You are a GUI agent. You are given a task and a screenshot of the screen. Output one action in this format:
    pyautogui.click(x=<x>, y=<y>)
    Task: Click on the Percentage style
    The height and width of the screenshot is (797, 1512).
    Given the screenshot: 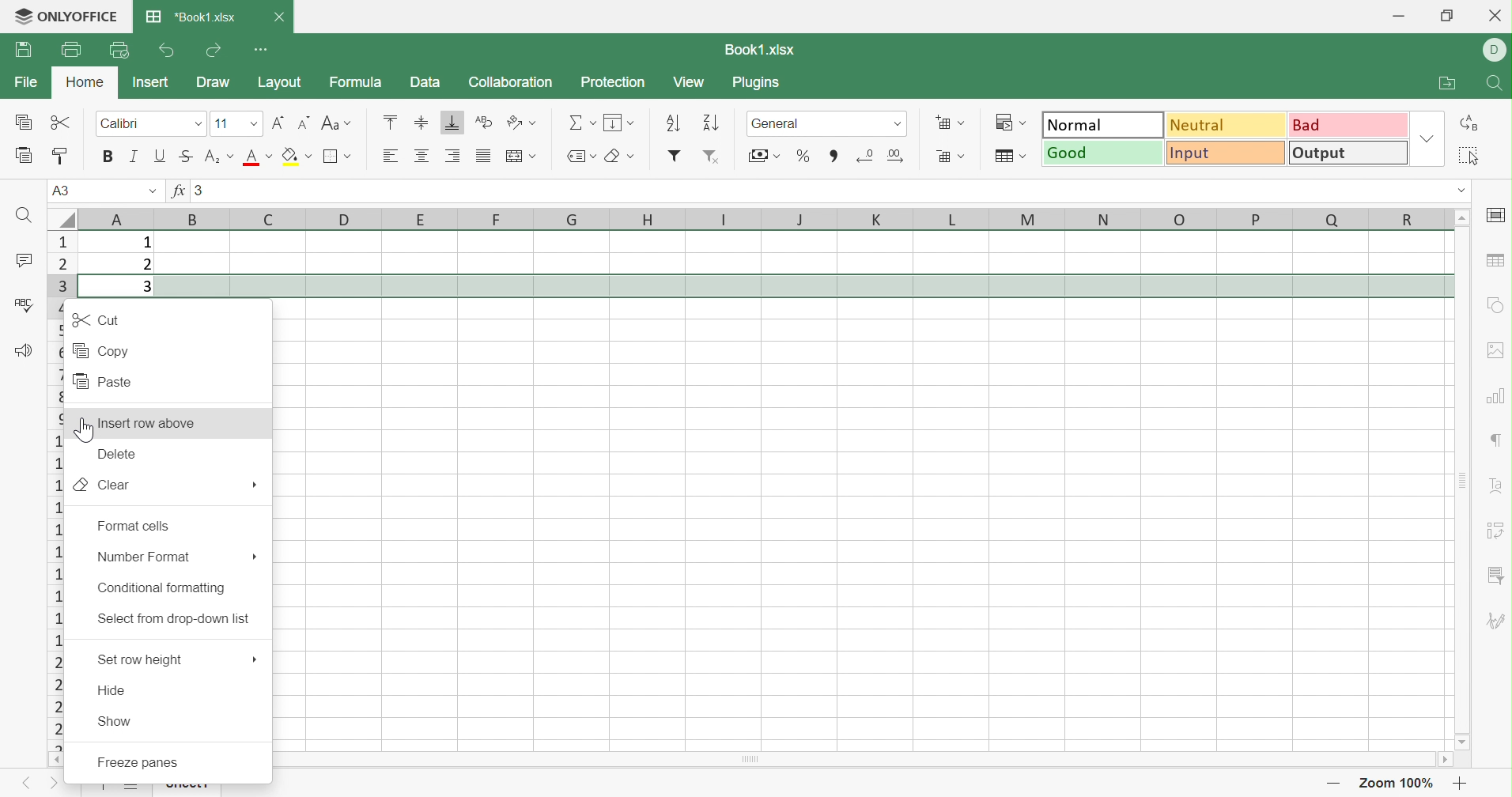 What is the action you would take?
    pyautogui.click(x=804, y=156)
    